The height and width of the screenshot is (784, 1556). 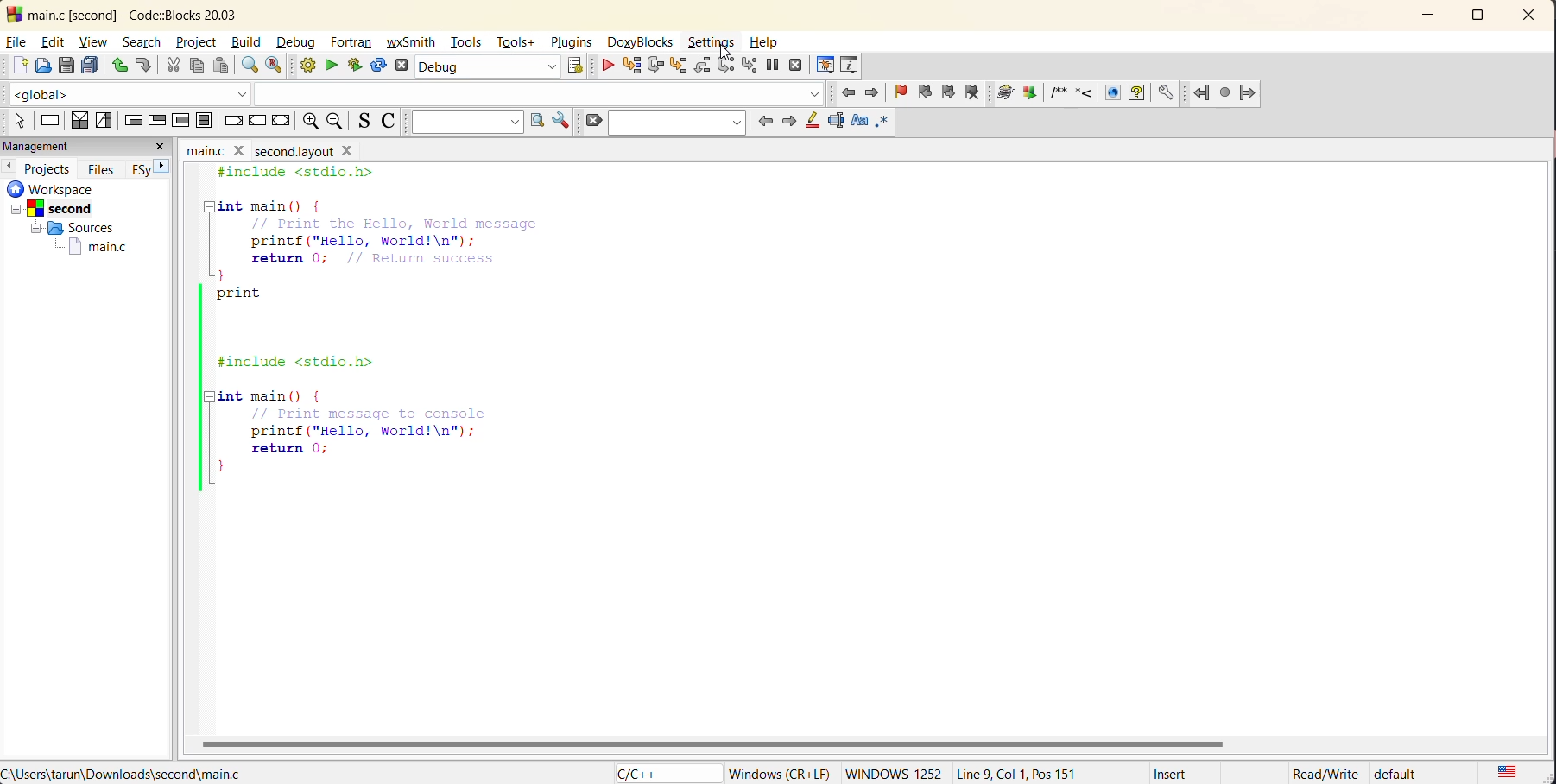 I want to click on Insert, so click(x=1170, y=773).